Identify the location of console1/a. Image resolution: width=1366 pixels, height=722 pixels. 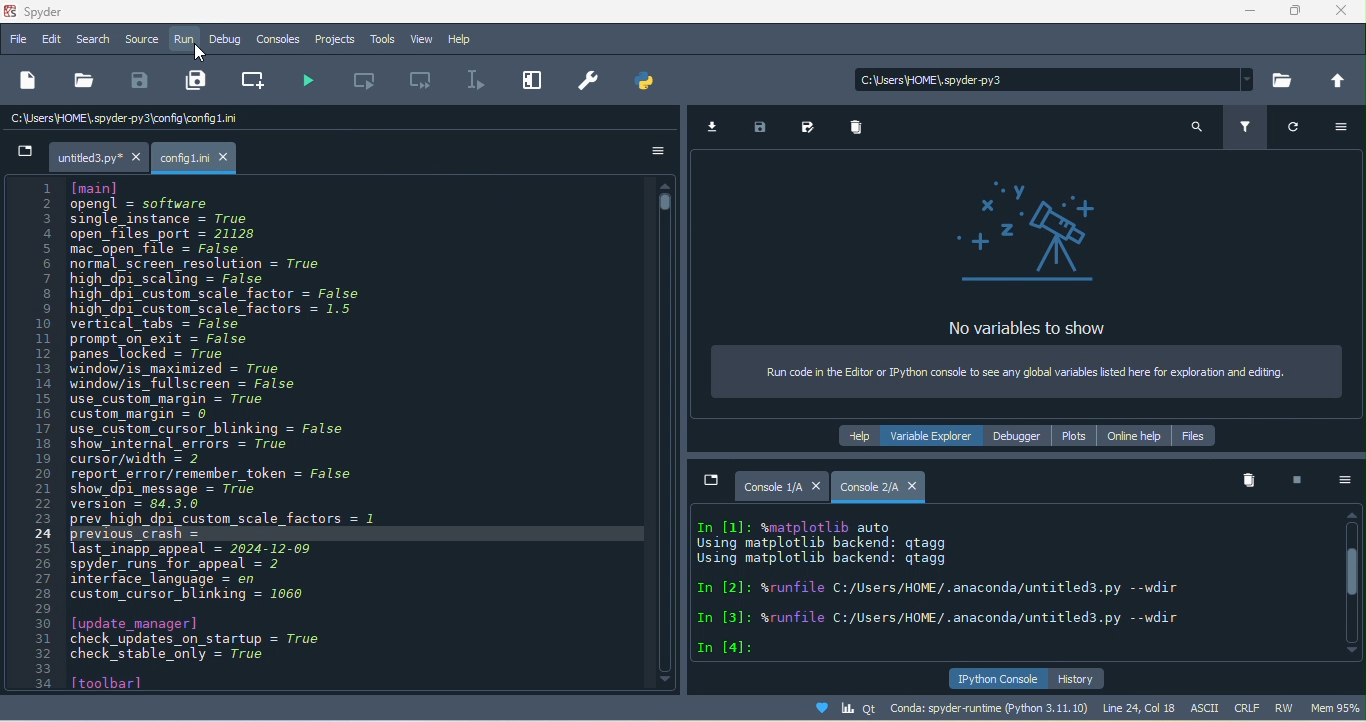
(759, 488).